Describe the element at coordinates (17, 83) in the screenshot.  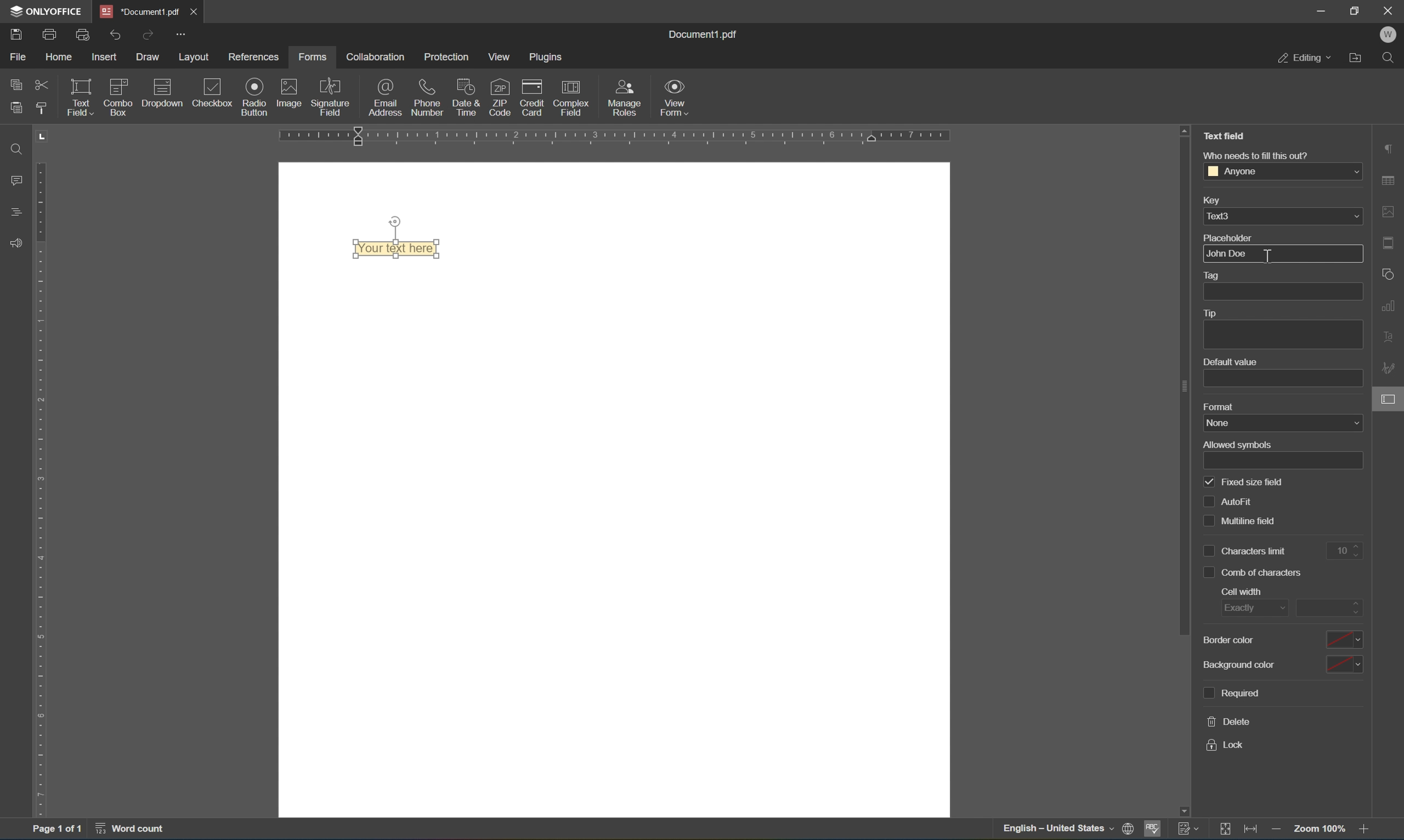
I see `copy` at that location.